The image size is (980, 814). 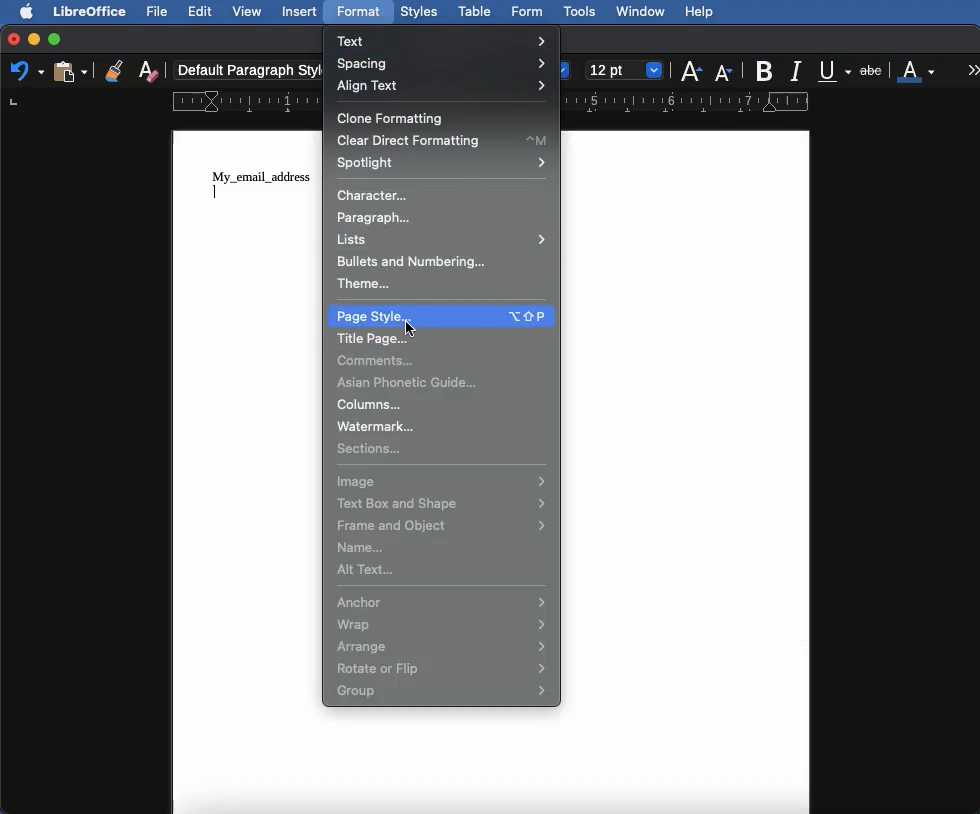 I want to click on Format, so click(x=360, y=12).